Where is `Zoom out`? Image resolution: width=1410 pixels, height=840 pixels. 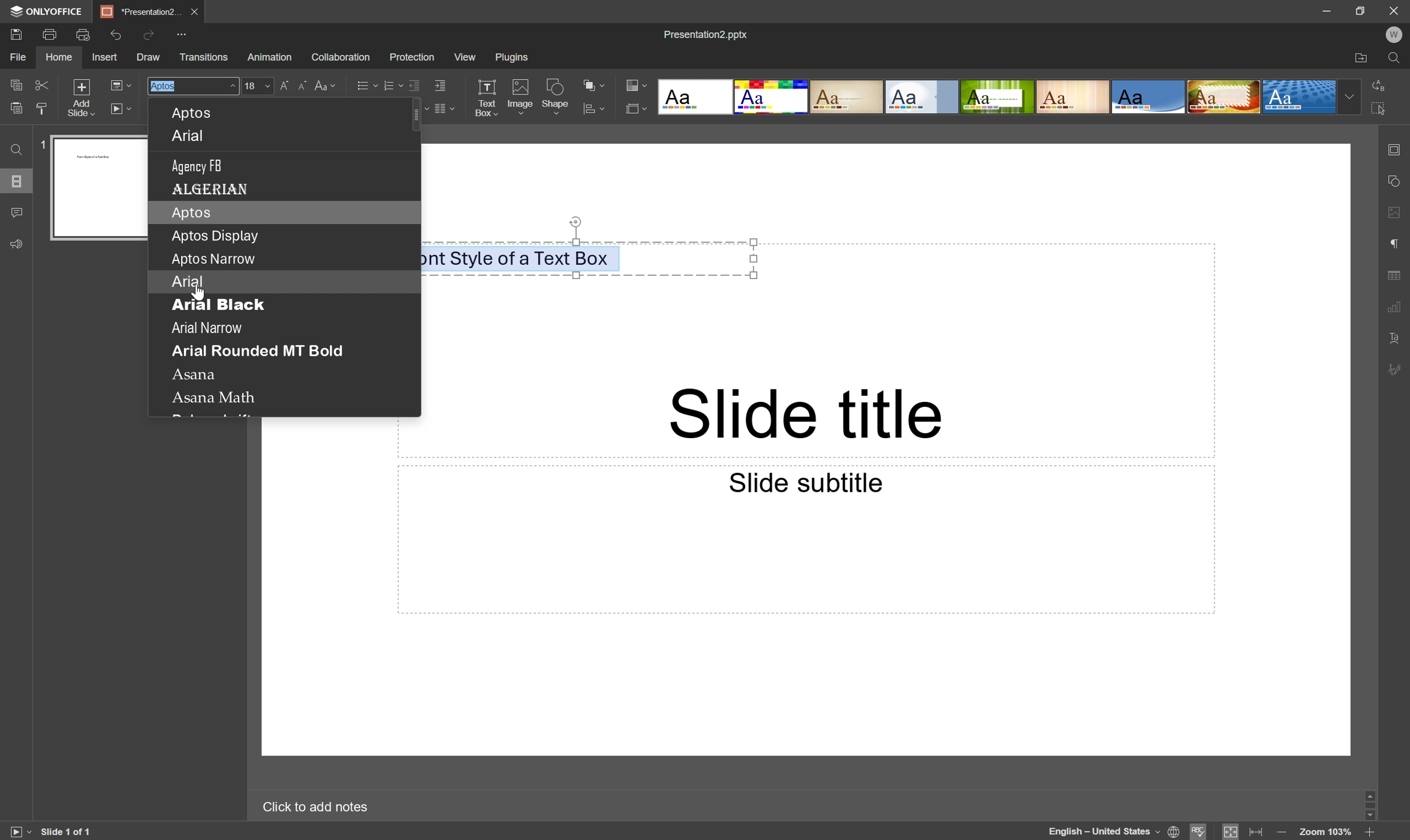 Zoom out is located at coordinates (1280, 832).